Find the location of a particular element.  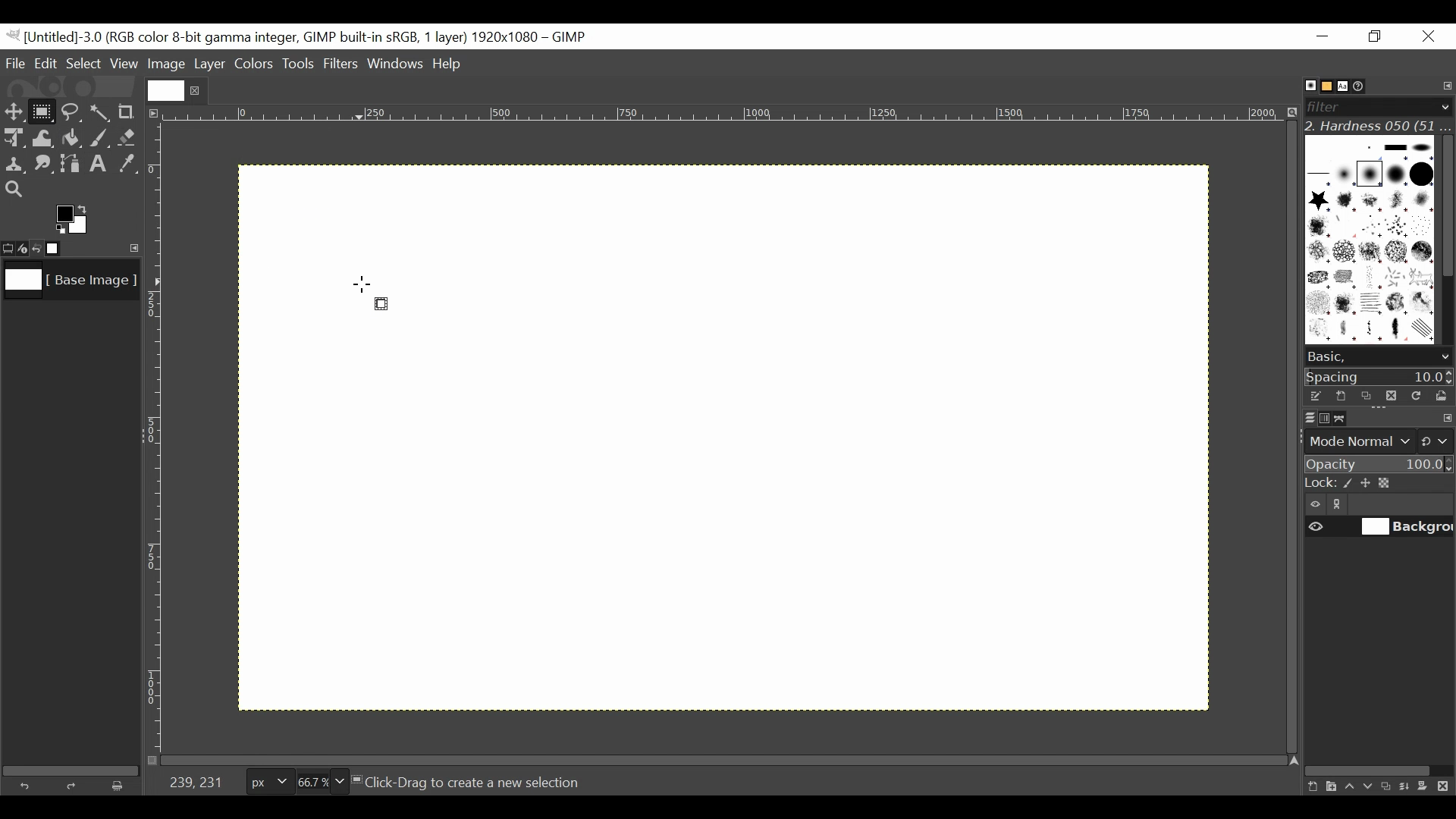

Move tool is located at coordinates (13, 110).